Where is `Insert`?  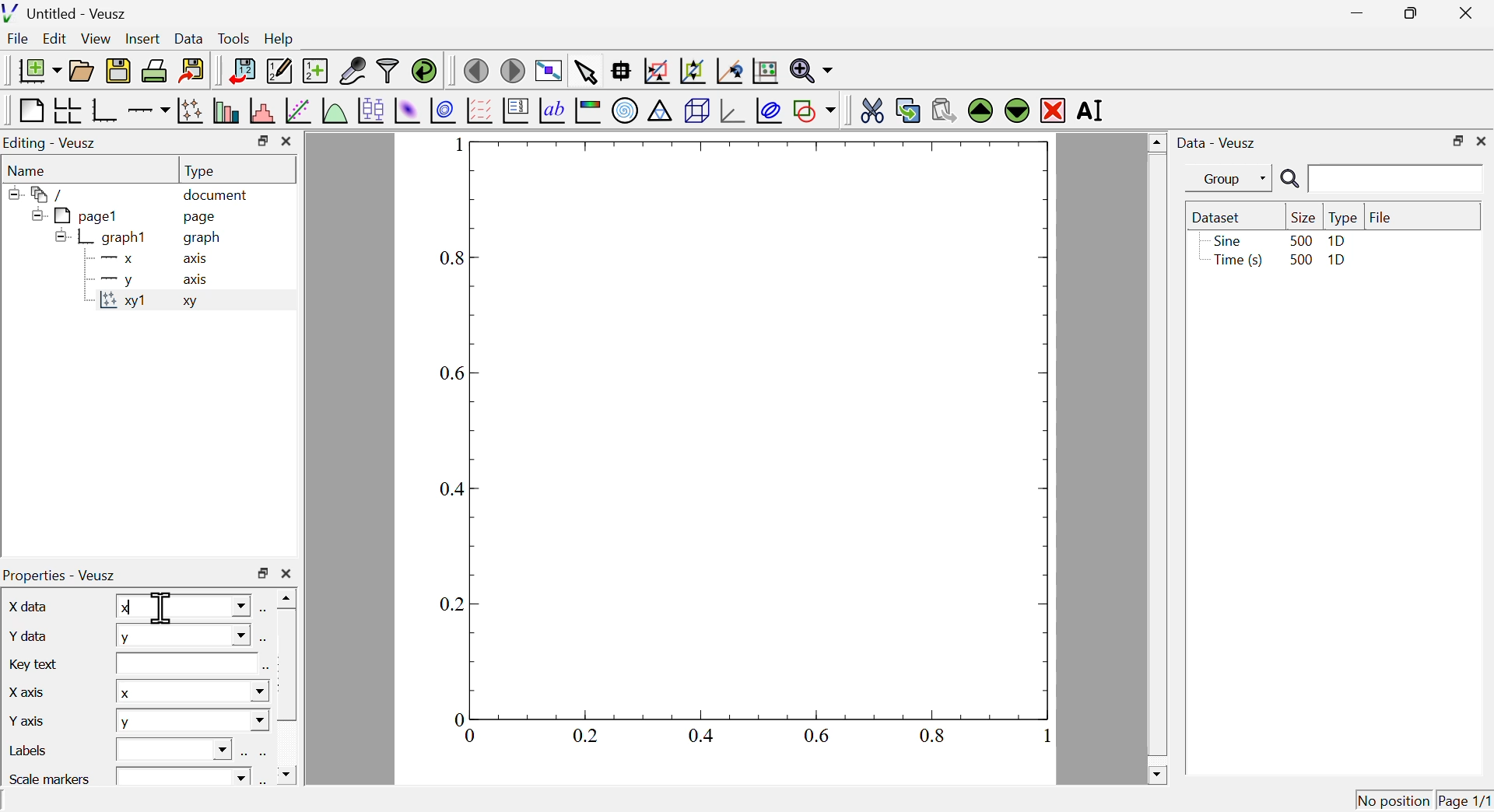
Insert is located at coordinates (141, 37).